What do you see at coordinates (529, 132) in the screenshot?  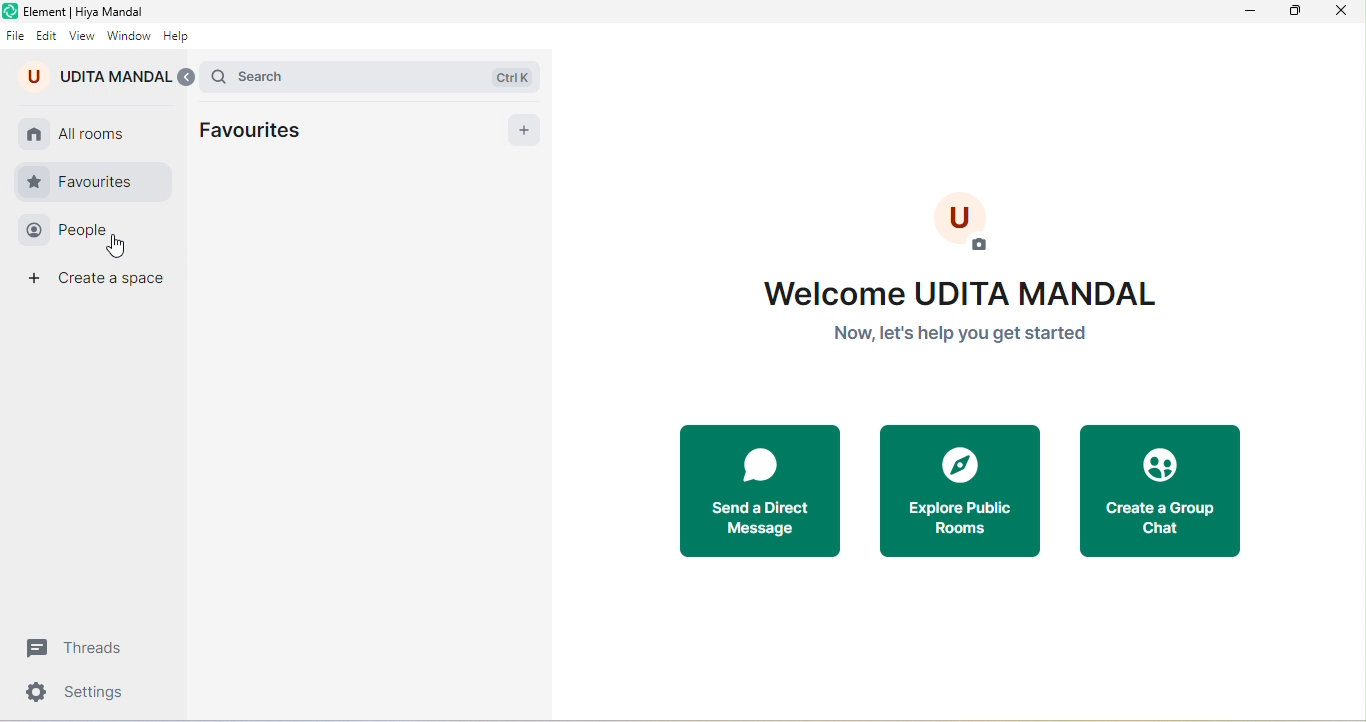 I see `add` at bounding box center [529, 132].